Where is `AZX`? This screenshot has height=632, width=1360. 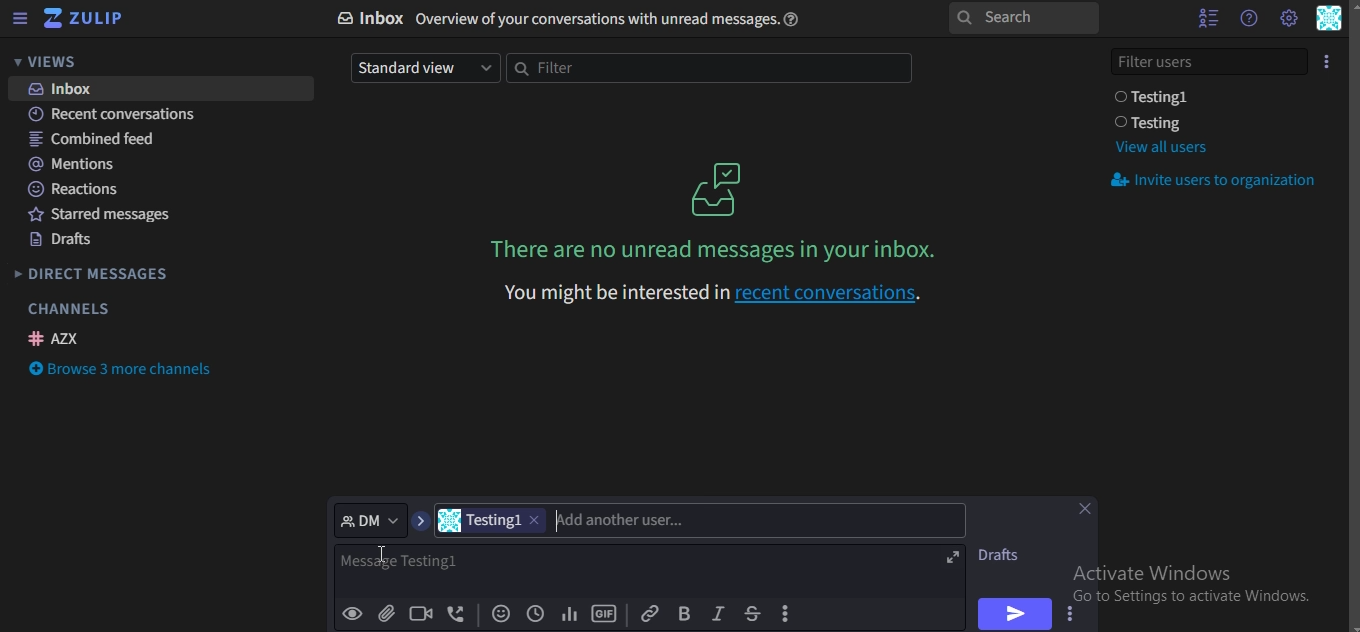
AZX is located at coordinates (57, 338).